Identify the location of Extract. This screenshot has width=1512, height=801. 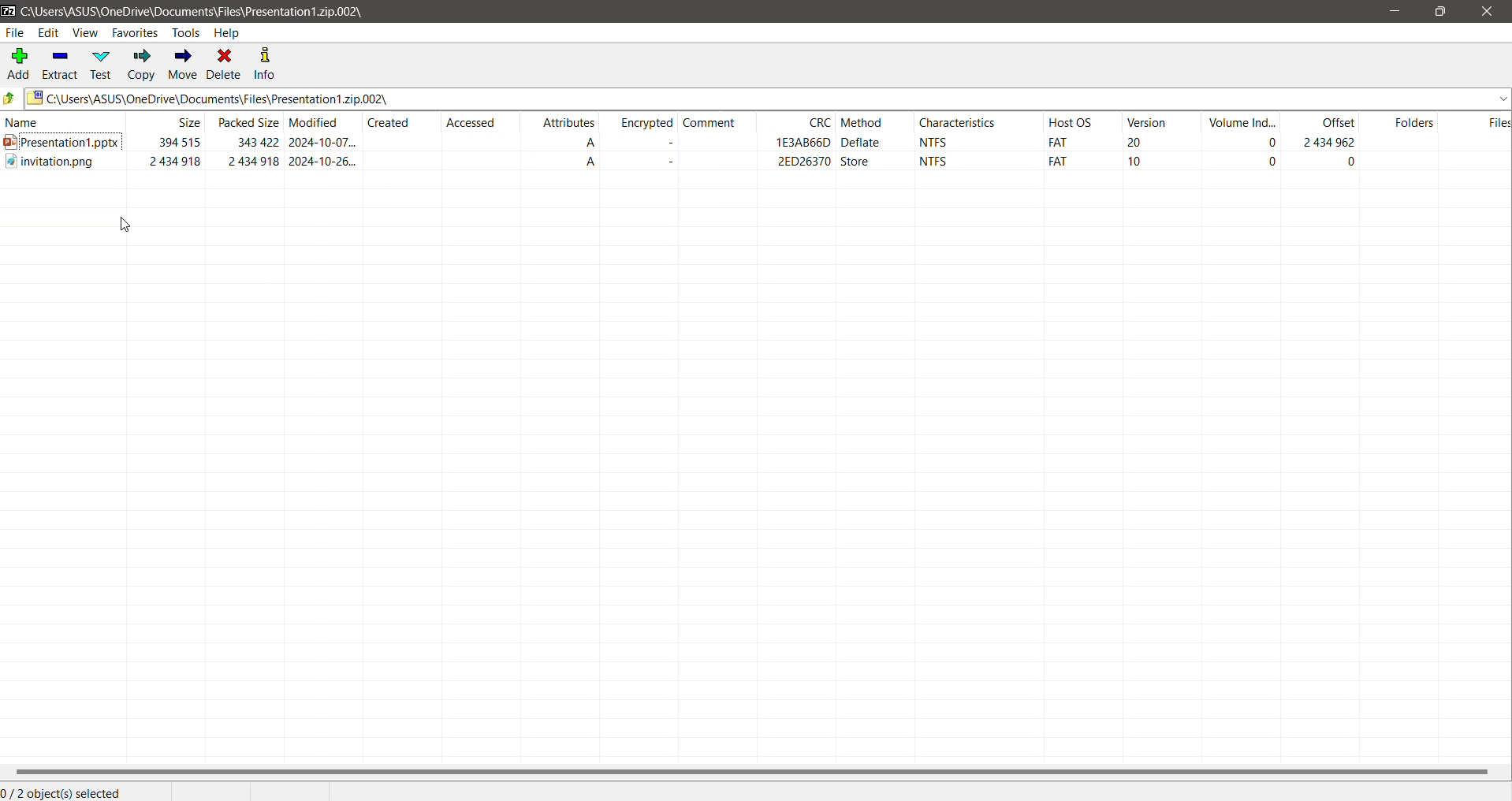
(59, 63).